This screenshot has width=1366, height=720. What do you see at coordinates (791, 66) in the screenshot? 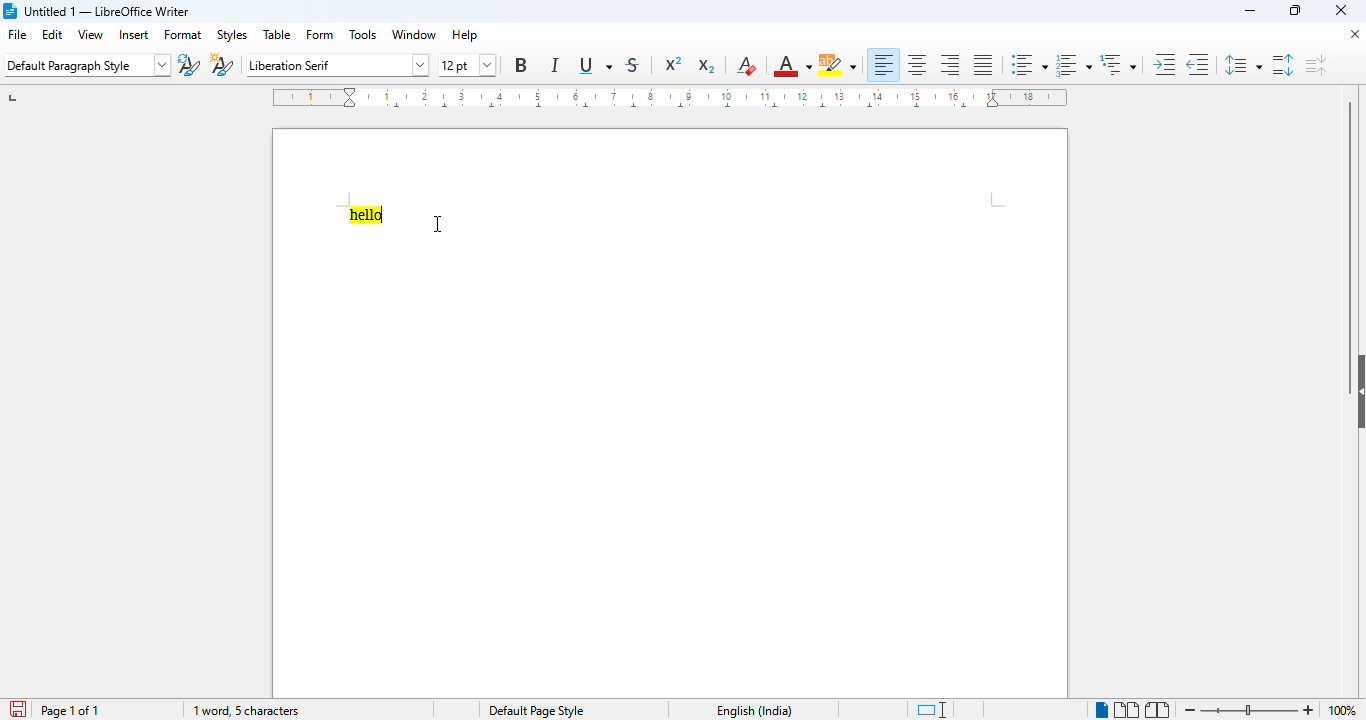
I see `font color` at bounding box center [791, 66].